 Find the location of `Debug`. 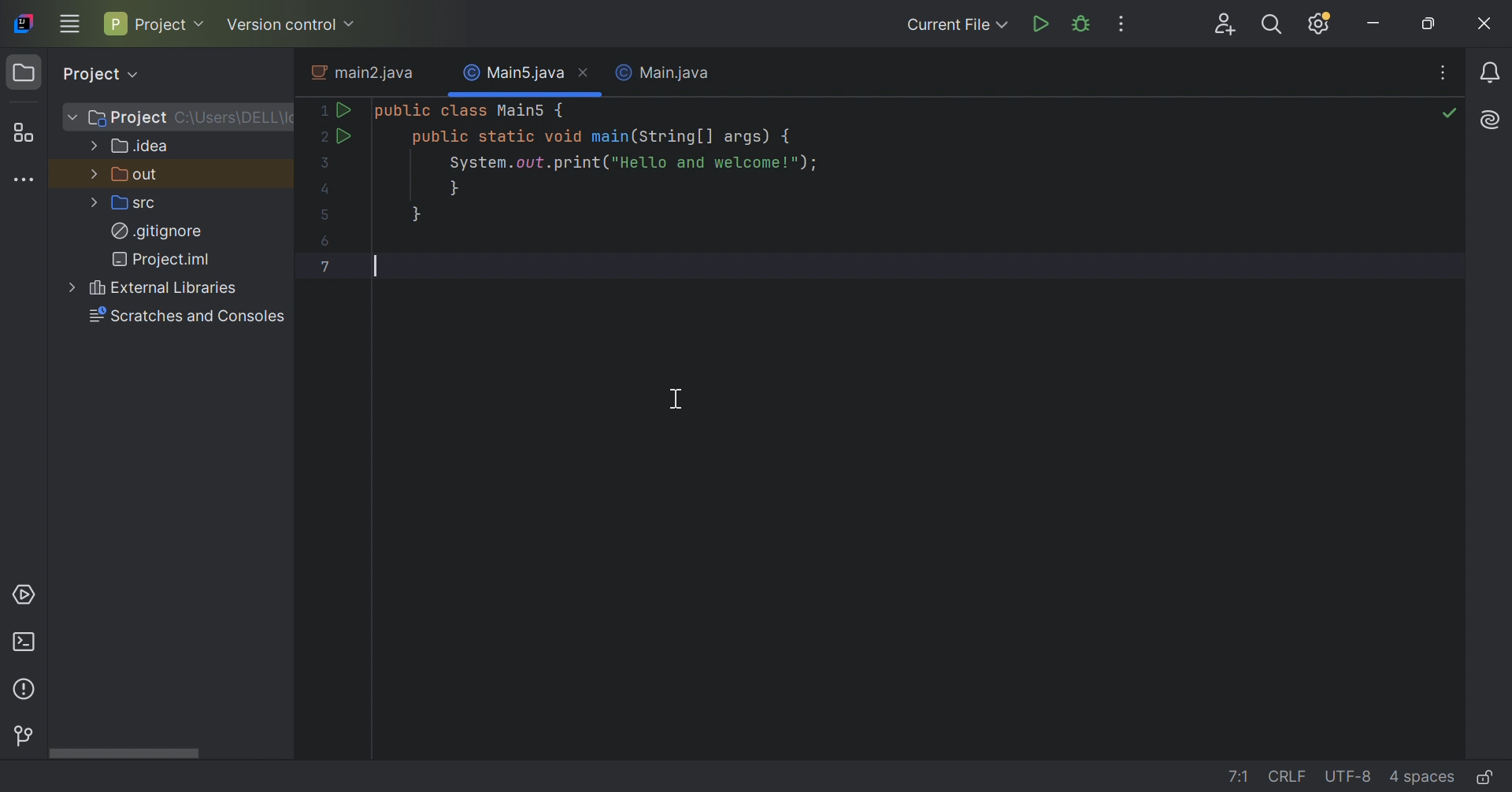

Debug is located at coordinates (1080, 24).